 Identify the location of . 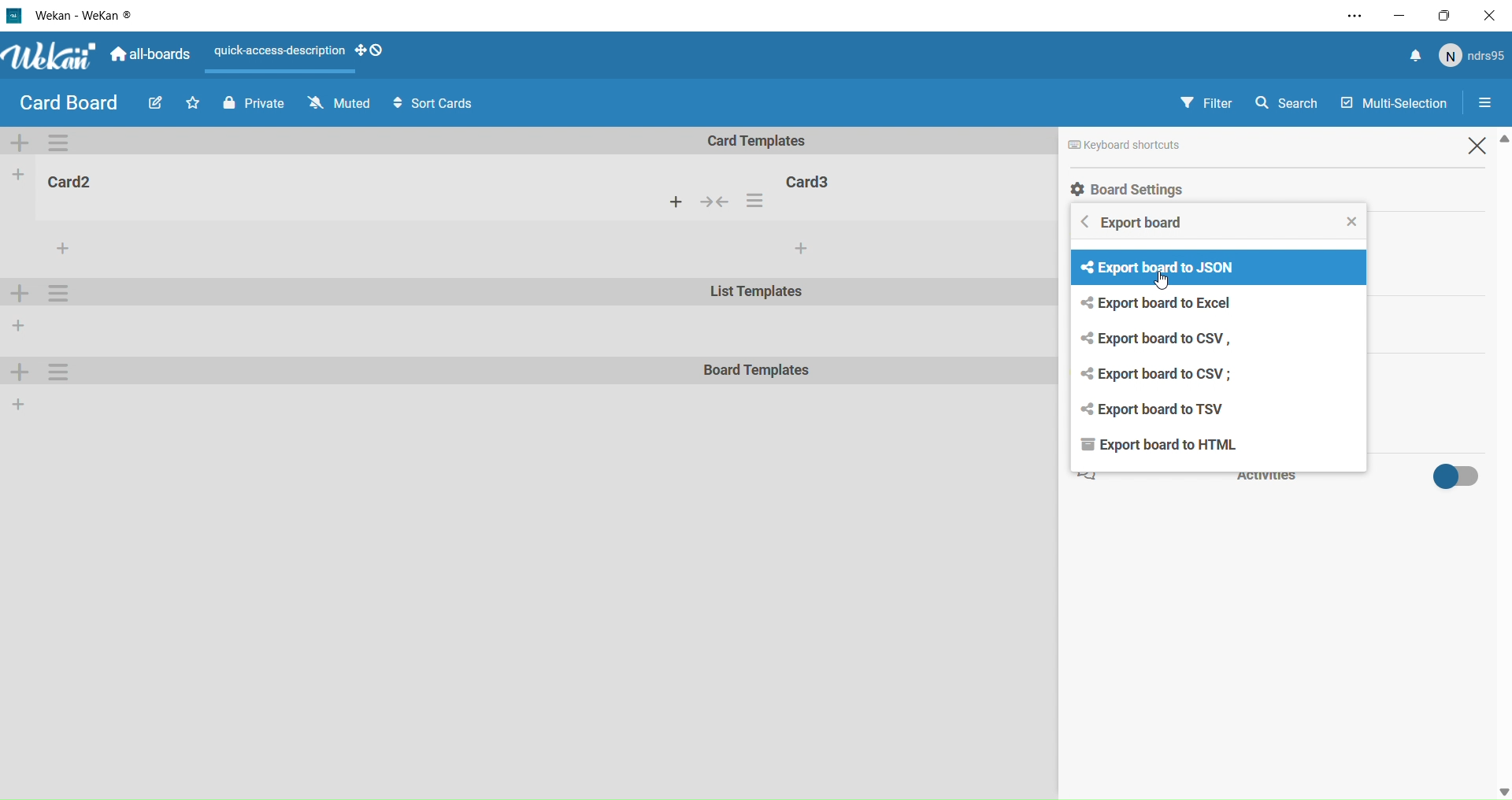
(20, 141).